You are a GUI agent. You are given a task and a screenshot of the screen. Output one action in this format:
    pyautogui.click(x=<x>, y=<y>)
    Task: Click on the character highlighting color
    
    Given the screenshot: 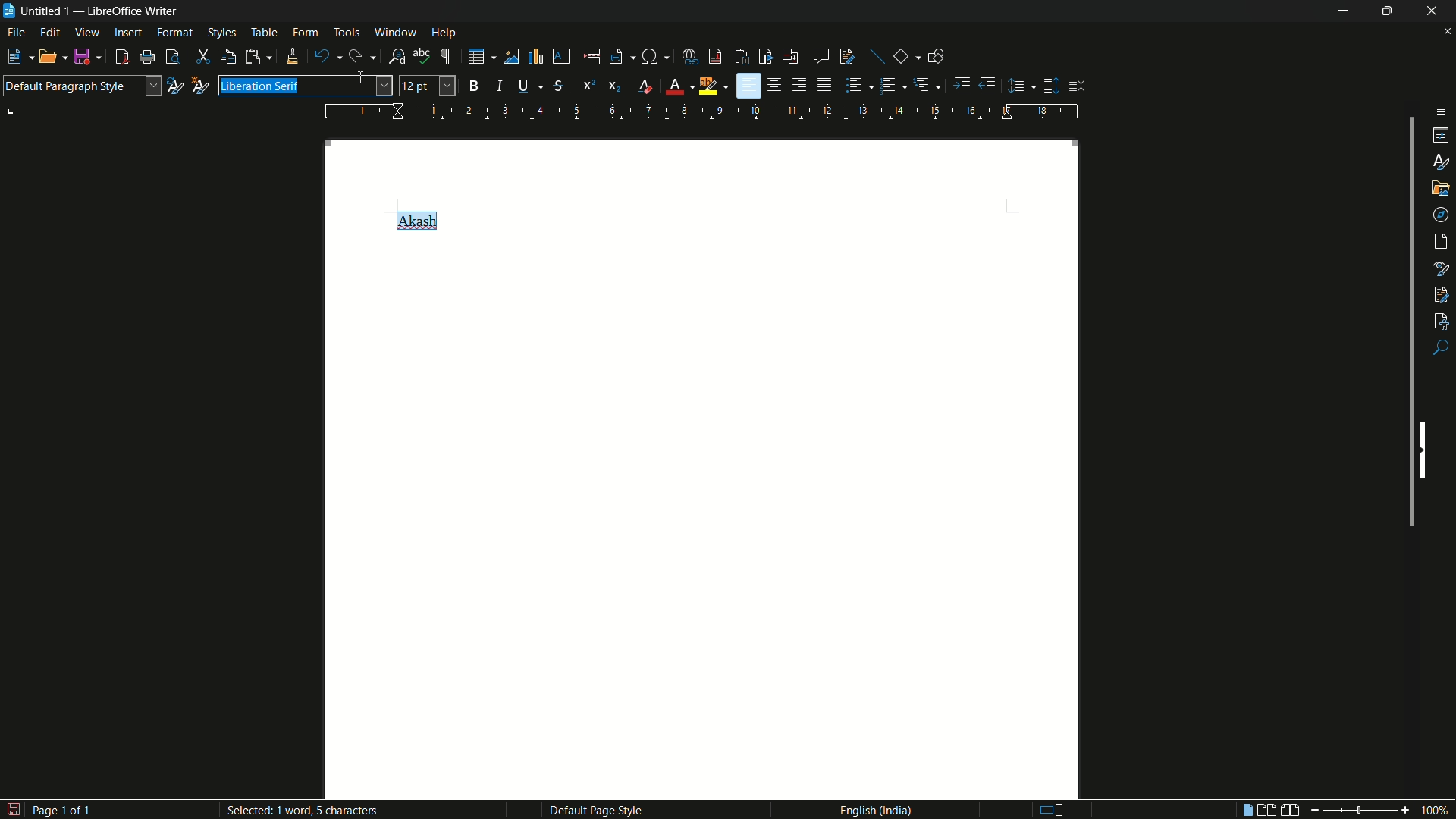 What is the action you would take?
    pyautogui.click(x=708, y=86)
    